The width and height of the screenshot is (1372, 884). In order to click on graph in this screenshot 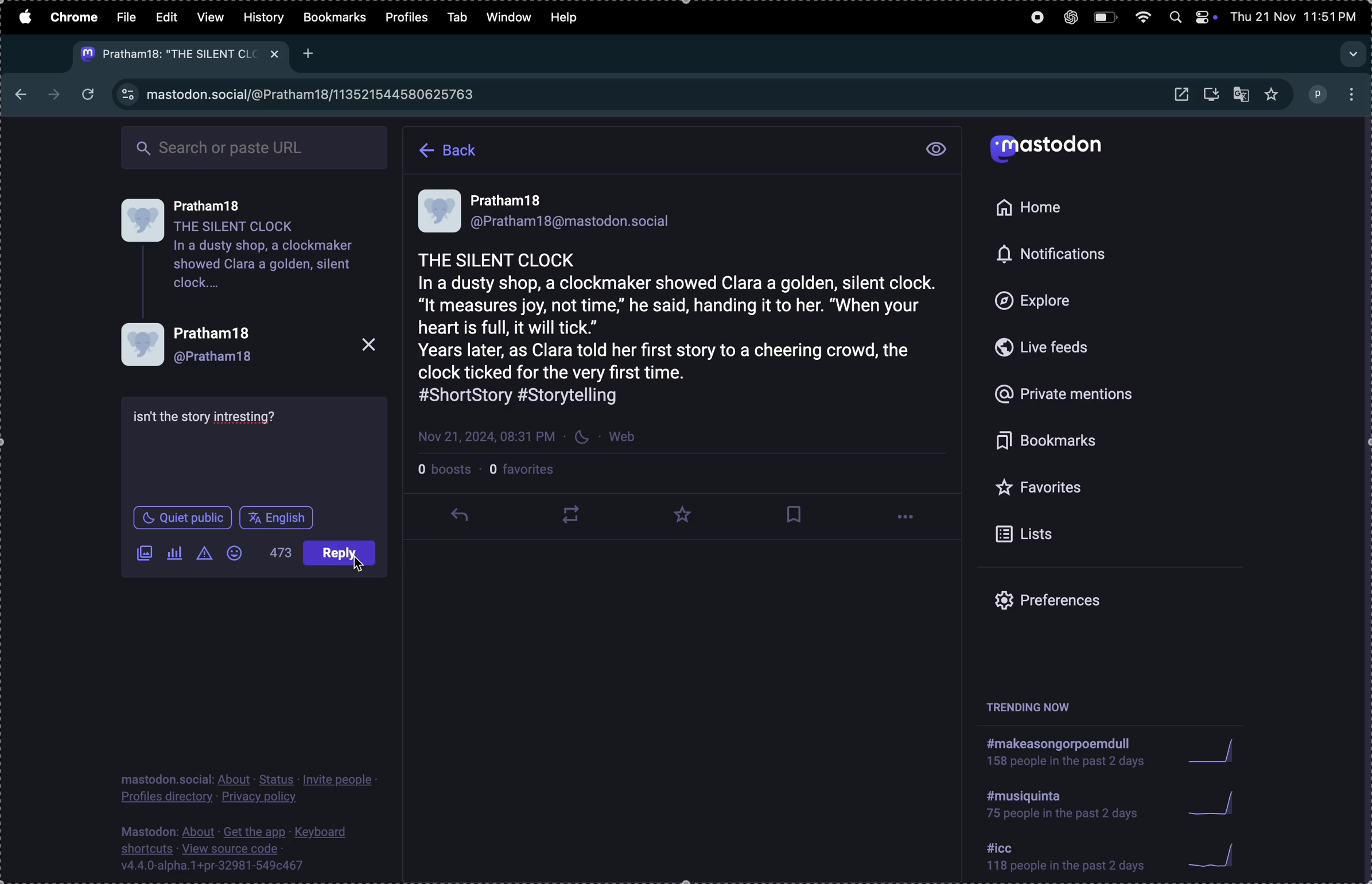, I will do `click(1219, 855)`.